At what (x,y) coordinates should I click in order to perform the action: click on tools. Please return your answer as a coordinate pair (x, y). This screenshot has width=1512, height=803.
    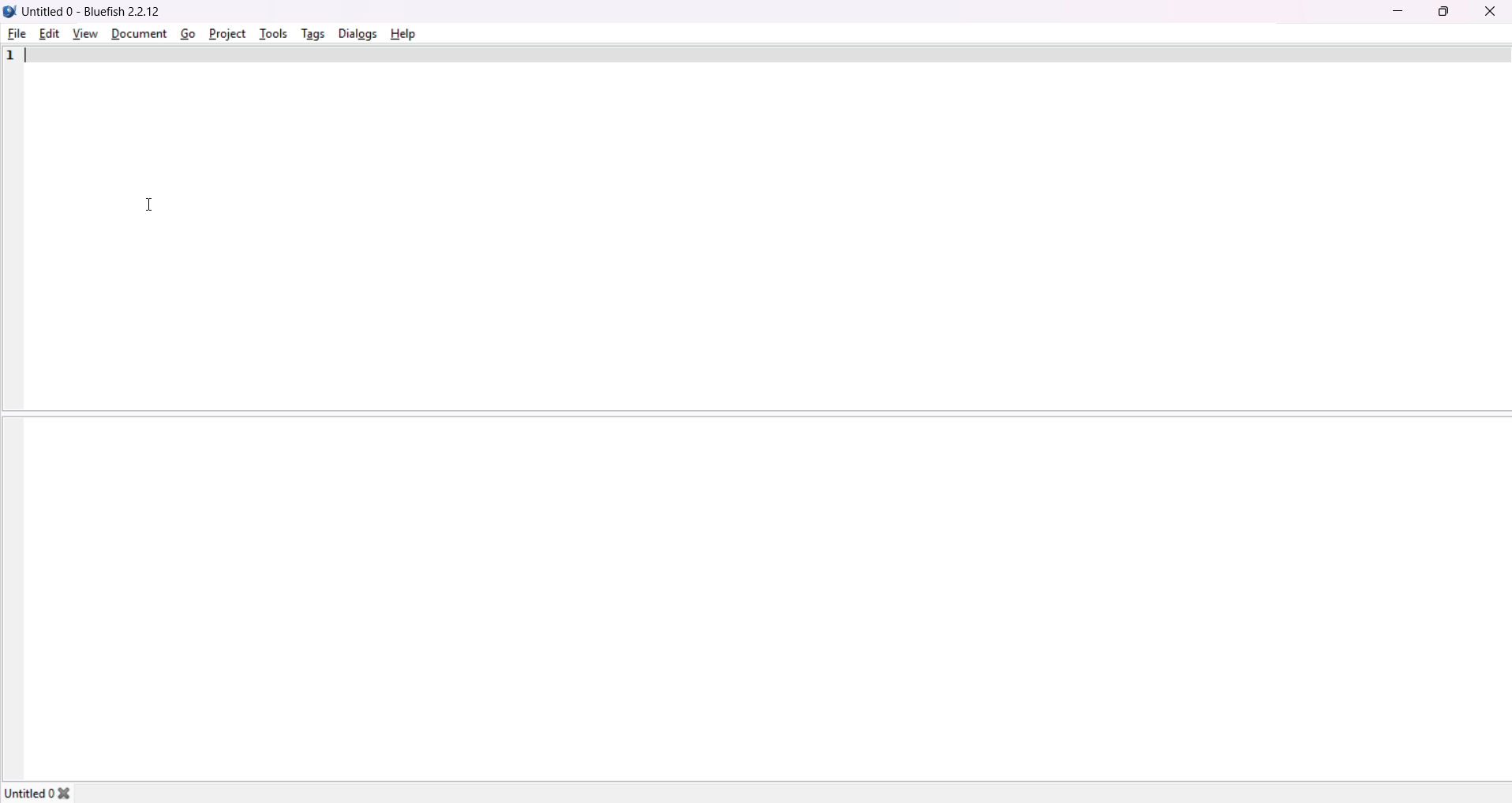
    Looking at the image, I should click on (273, 32).